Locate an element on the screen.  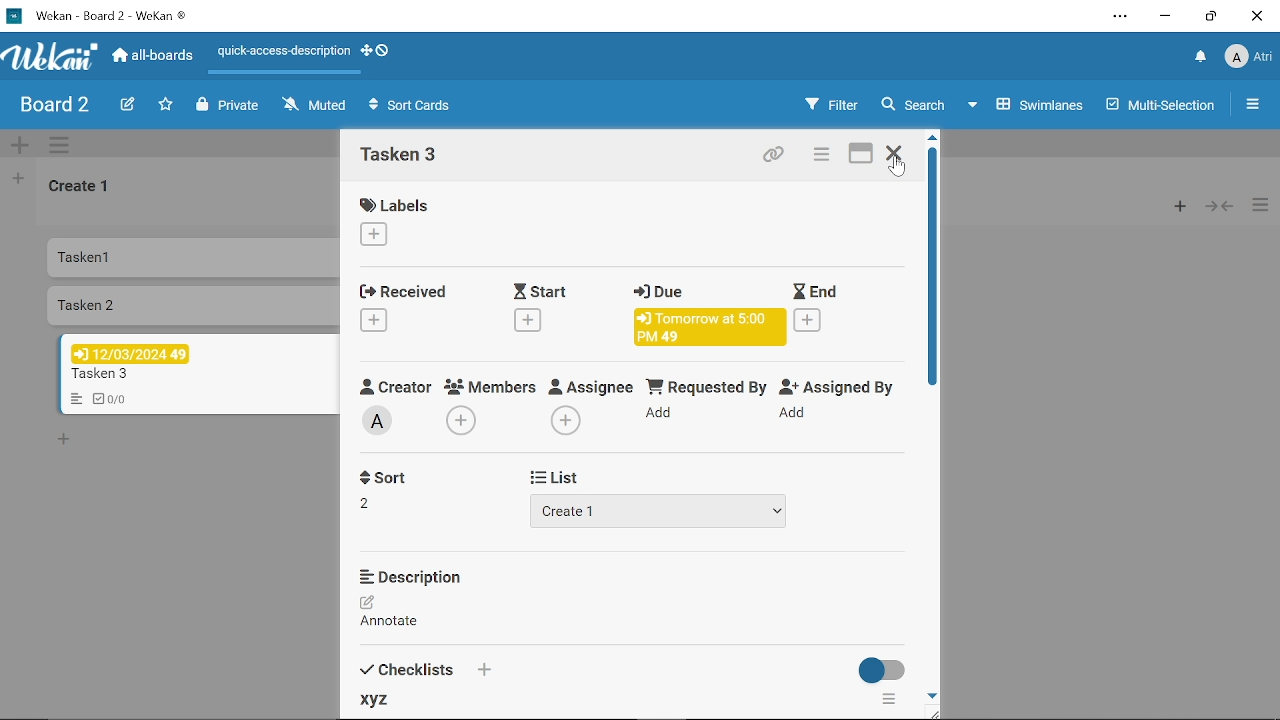
move down is located at coordinates (931, 694).